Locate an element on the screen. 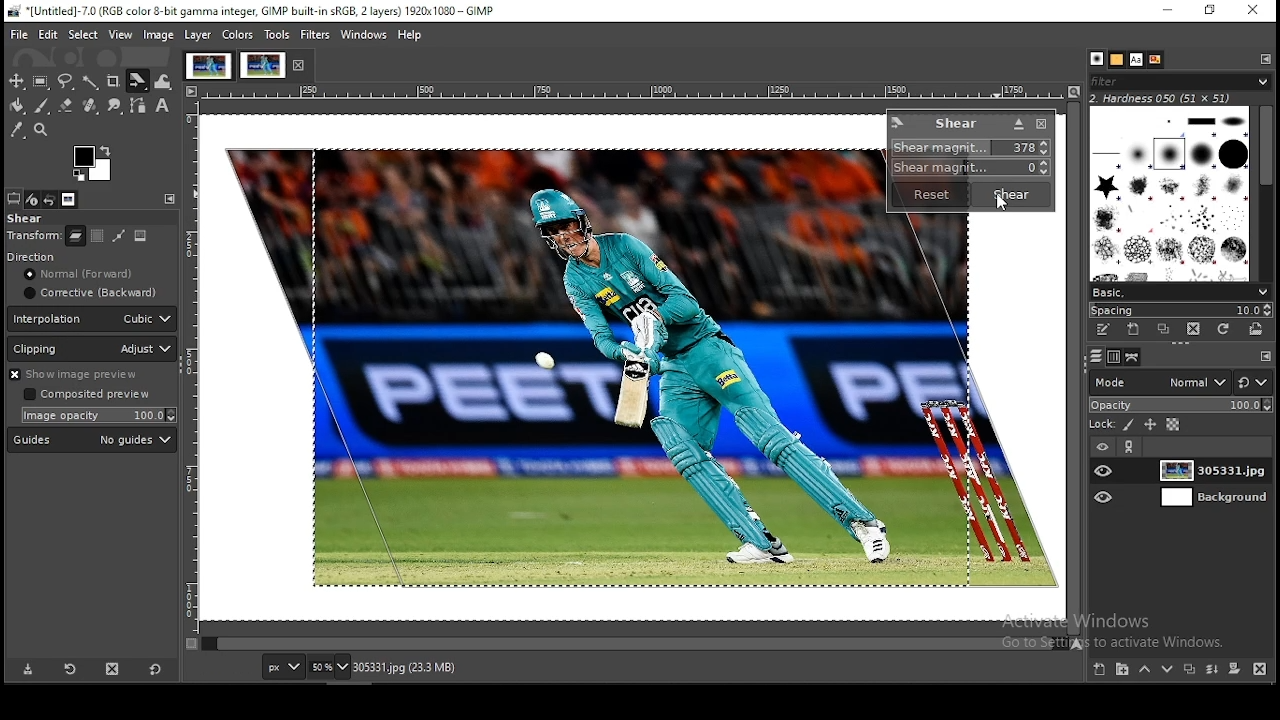 Image resolution: width=1280 pixels, height=720 pixels. windows is located at coordinates (365, 35).